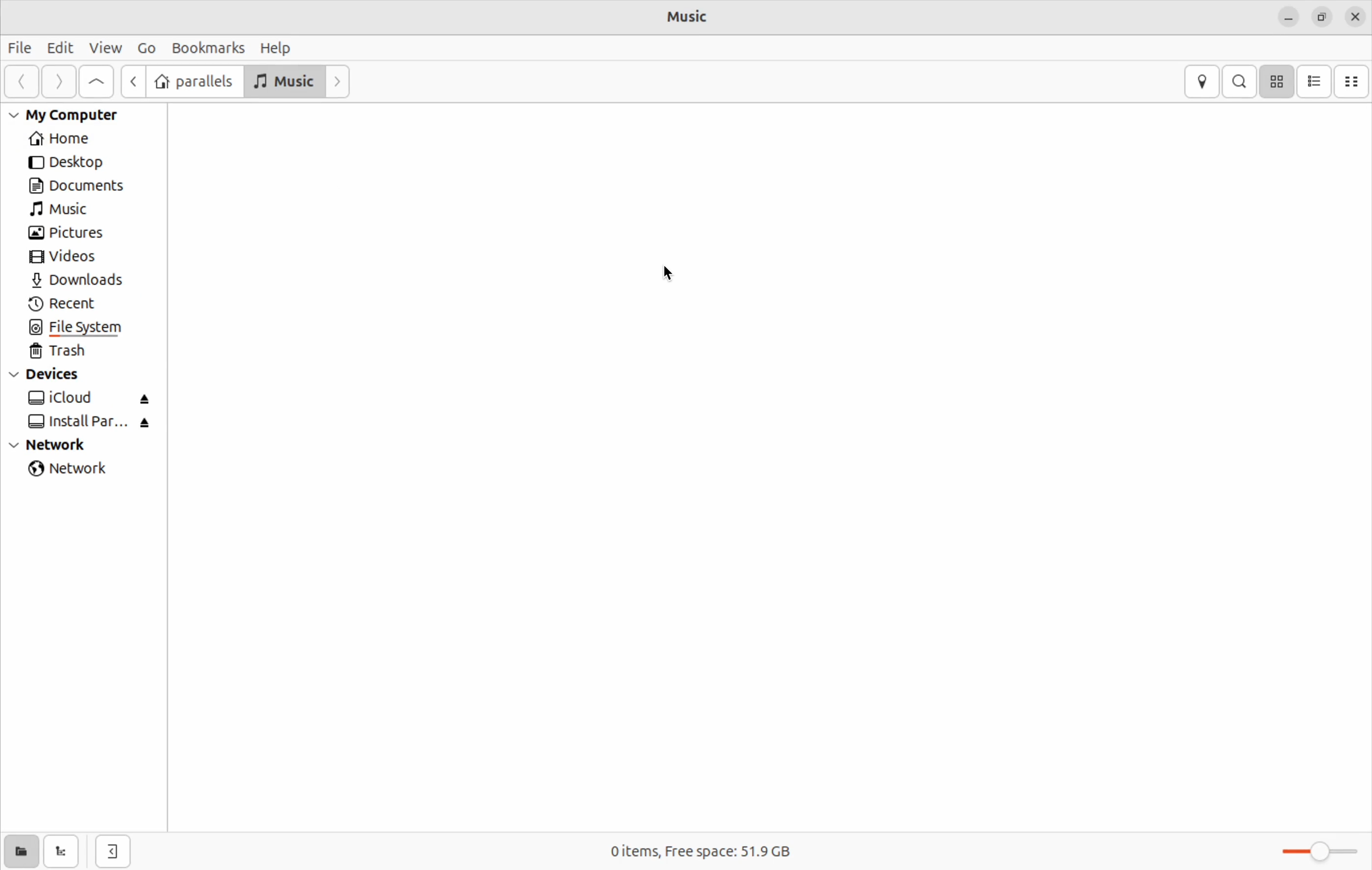 Image resolution: width=1372 pixels, height=870 pixels. I want to click on i cloud, so click(91, 399).